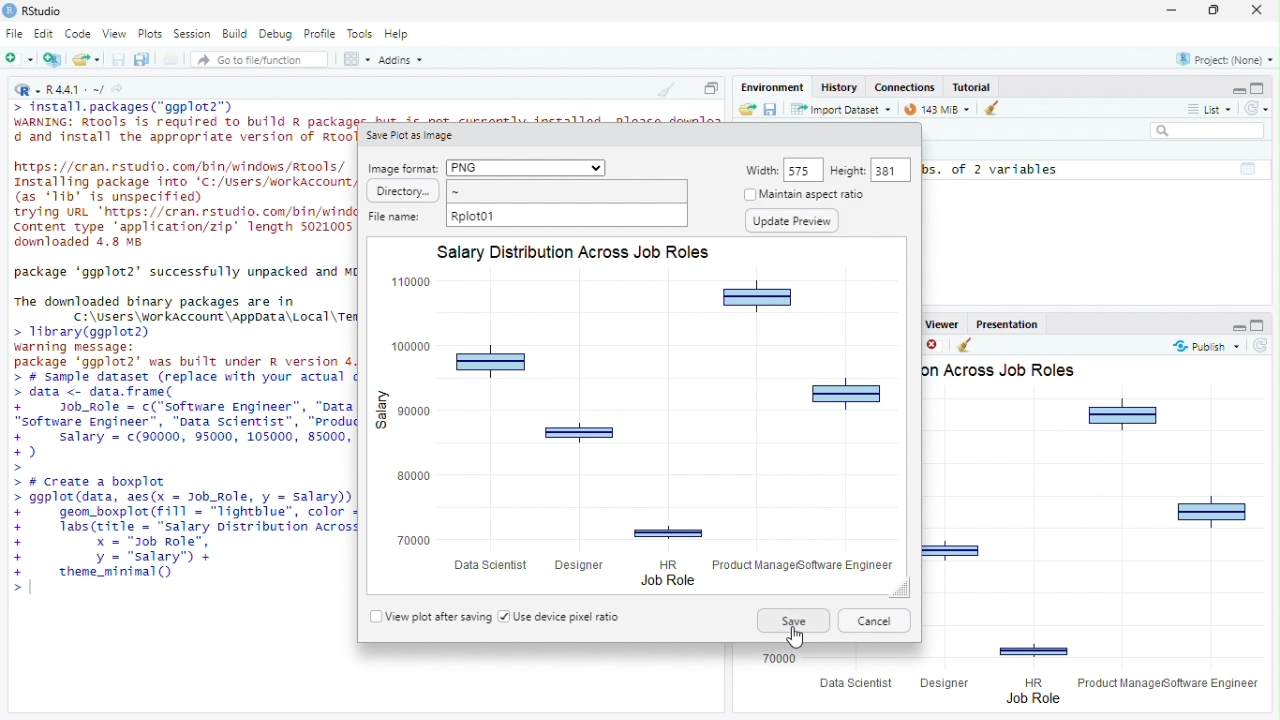 Image resolution: width=1280 pixels, height=720 pixels. Describe the element at coordinates (710, 86) in the screenshot. I see `Maximize` at that location.